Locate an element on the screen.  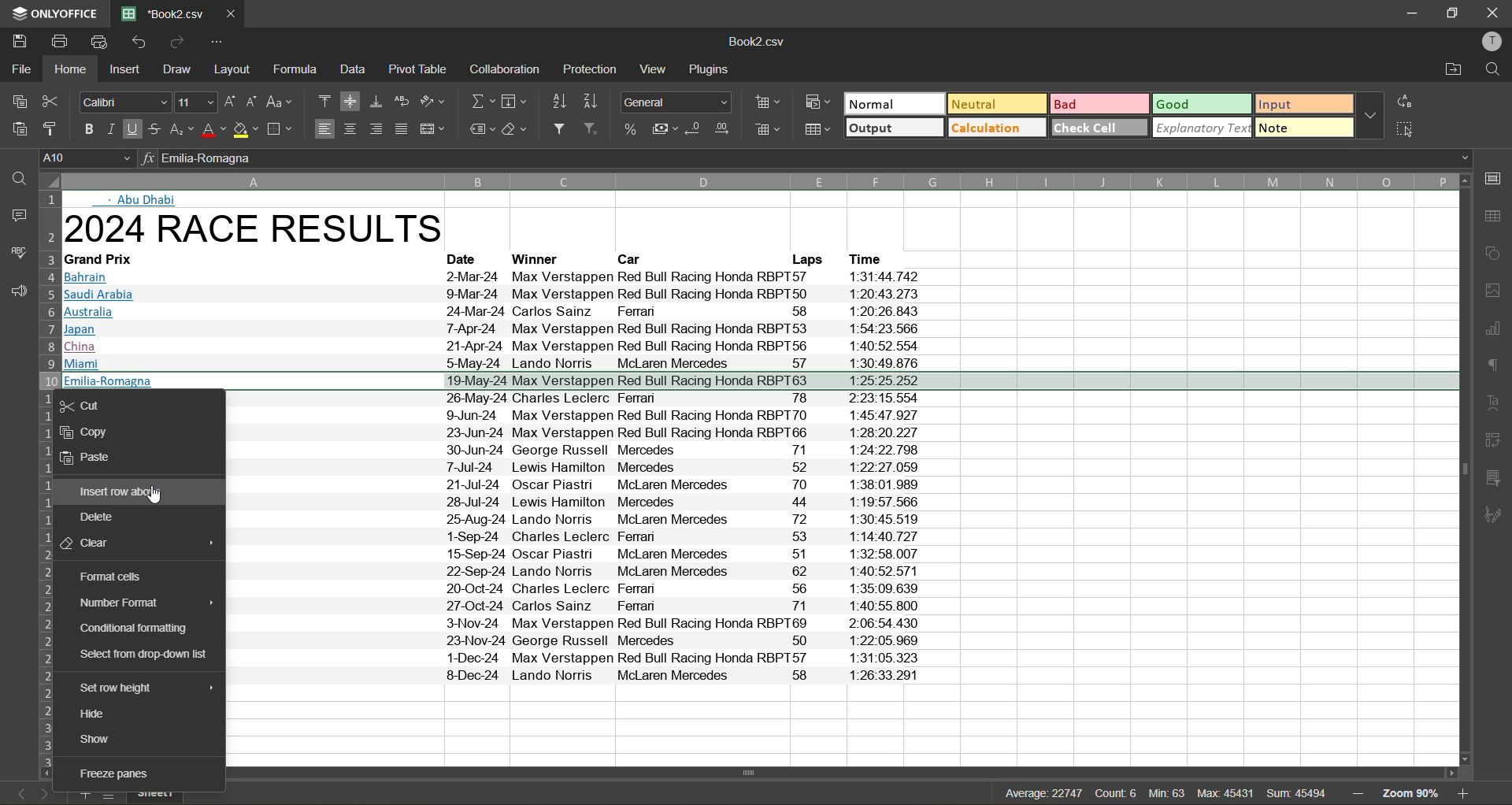
 1-Sep-24 Charles Leclerc Ferran 53 1:14:40.727 is located at coordinates (575, 537).